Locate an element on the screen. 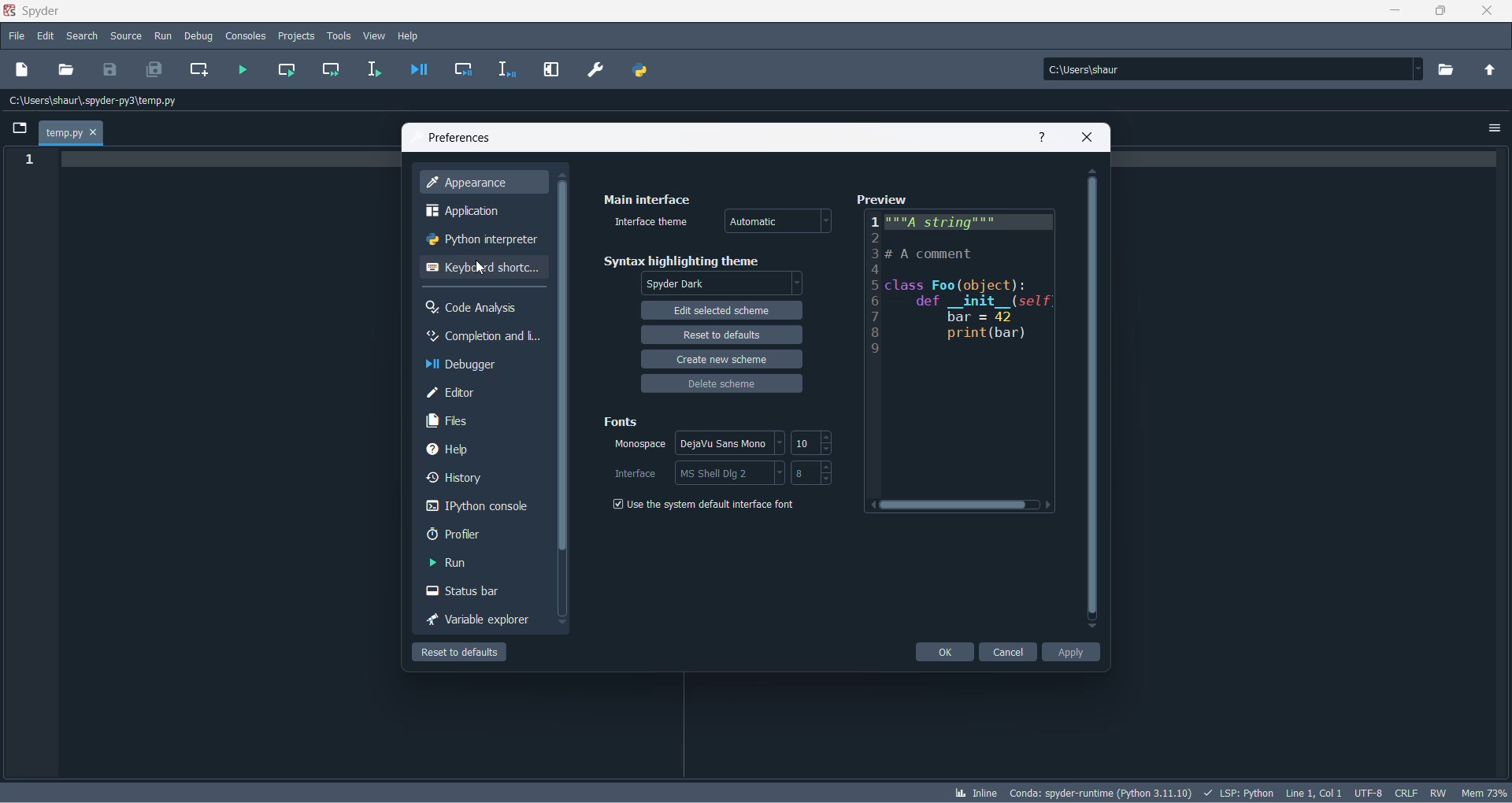 This screenshot has width=1512, height=803. view is located at coordinates (376, 36).